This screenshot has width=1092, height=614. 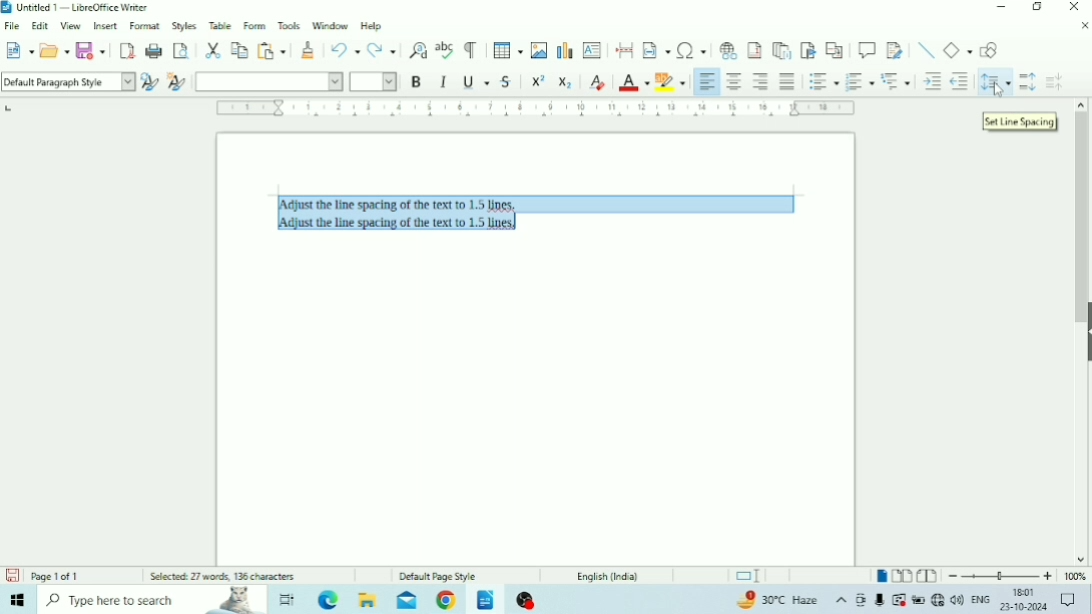 I want to click on Cursor, so click(x=999, y=90).